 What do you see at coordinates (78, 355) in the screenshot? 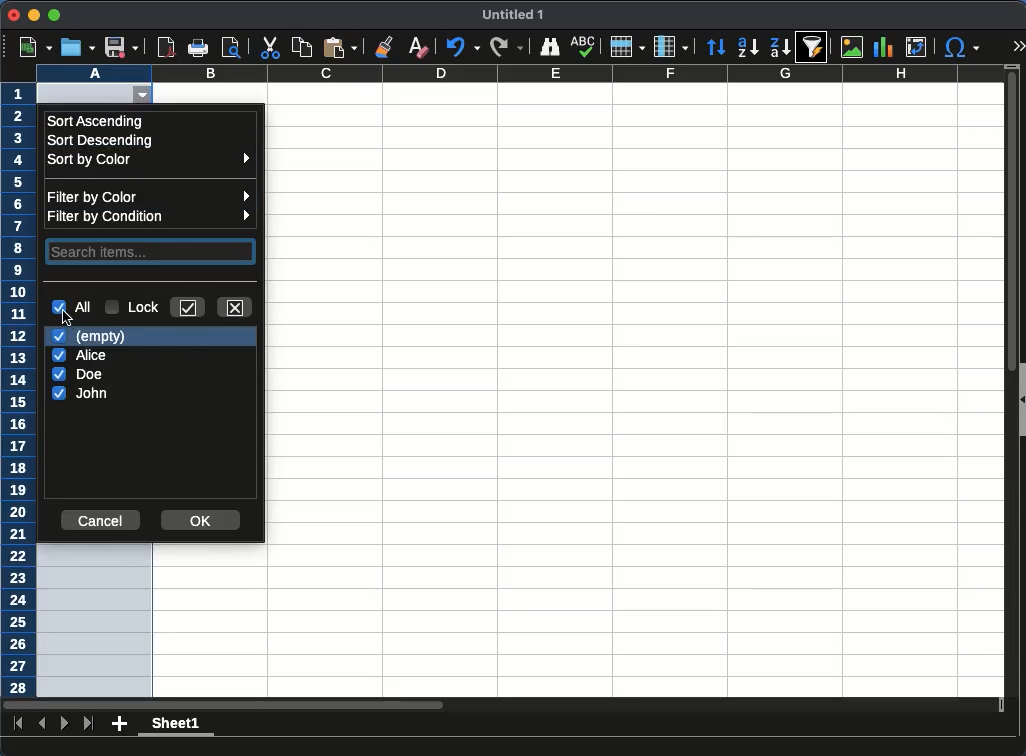
I see `Alice` at bounding box center [78, 355].